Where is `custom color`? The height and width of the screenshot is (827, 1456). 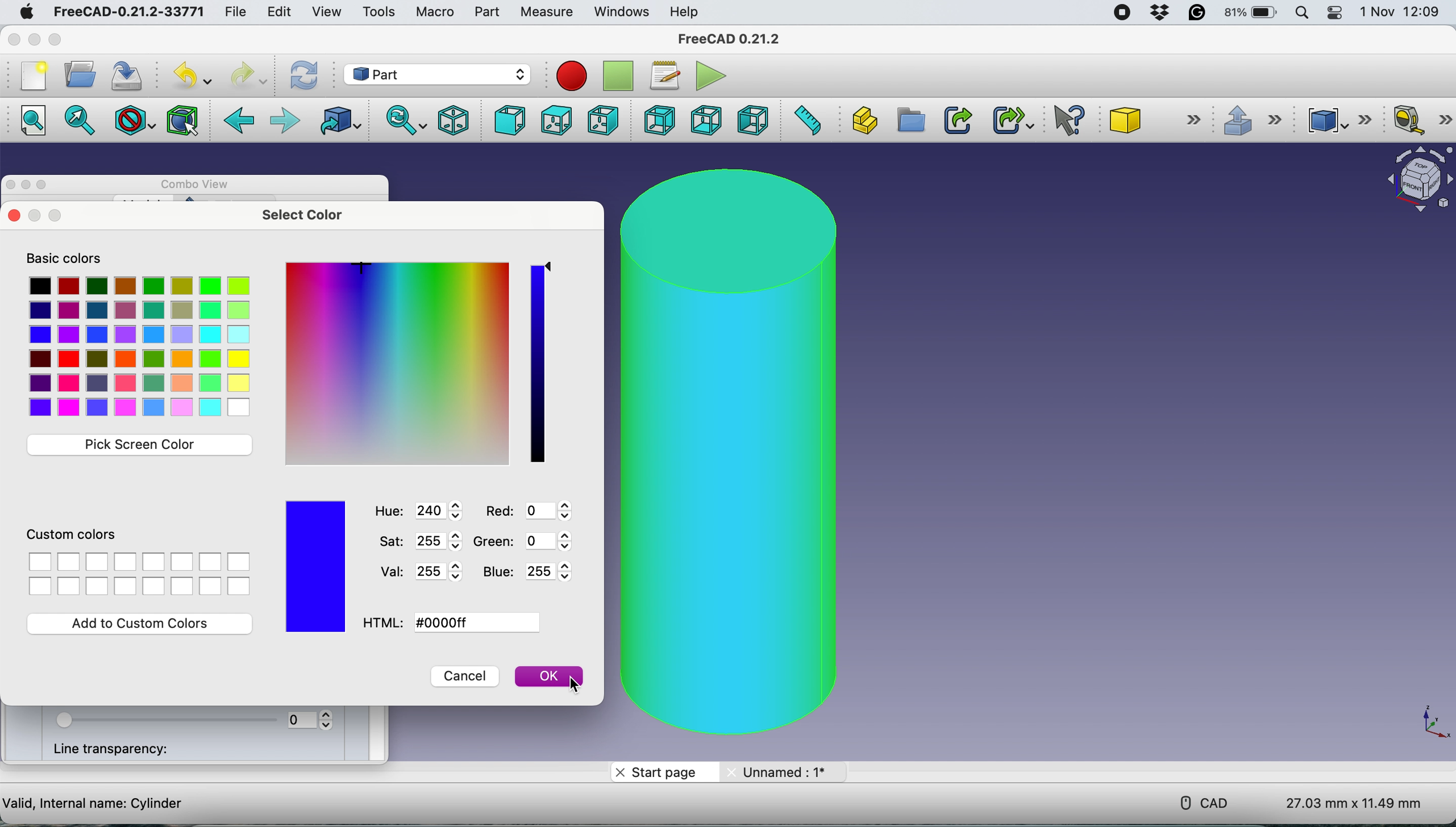
custom color is located at coordinates (135, 562).